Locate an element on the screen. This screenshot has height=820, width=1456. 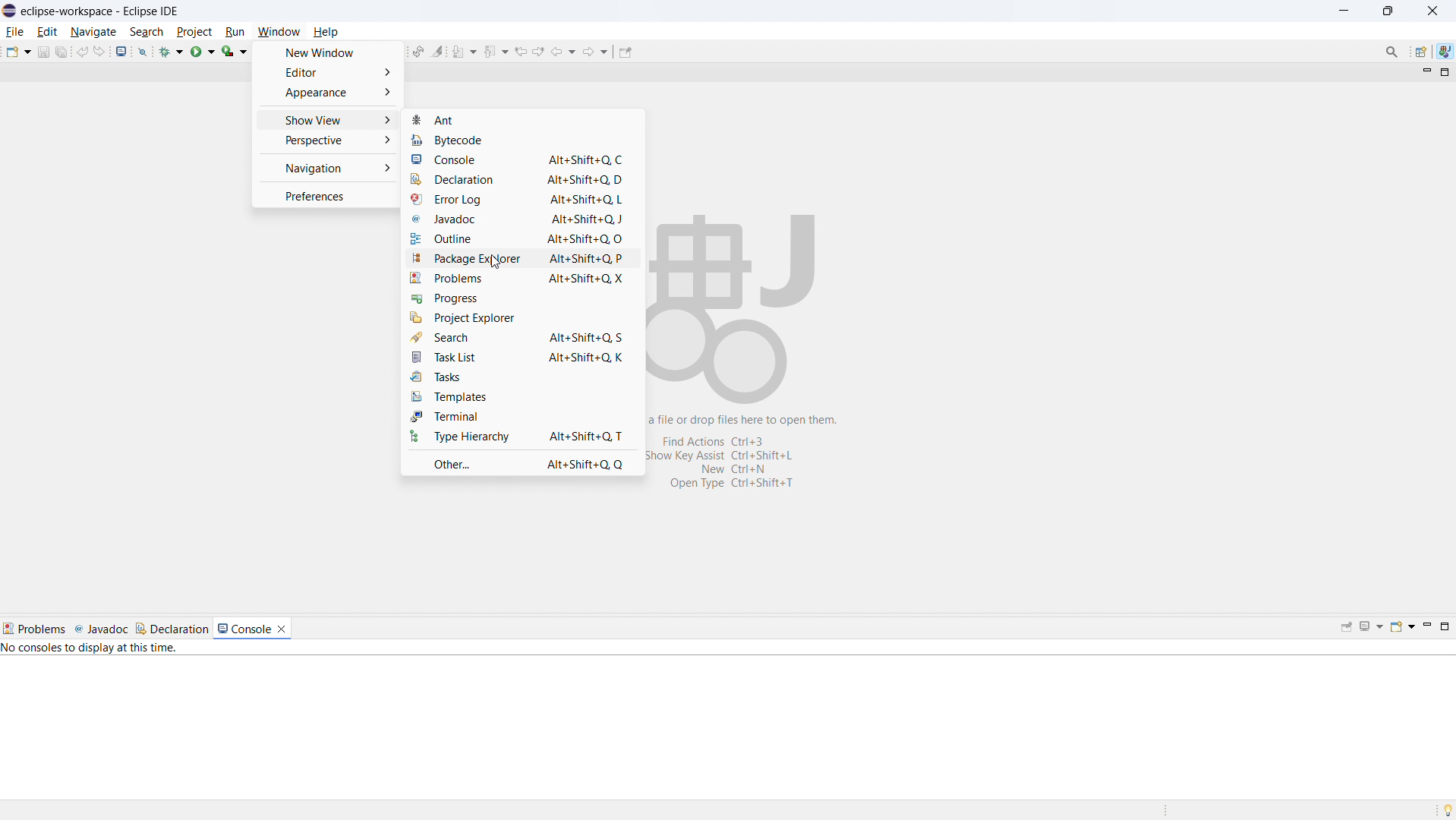
Cursor is located at coordinates (497, 262).